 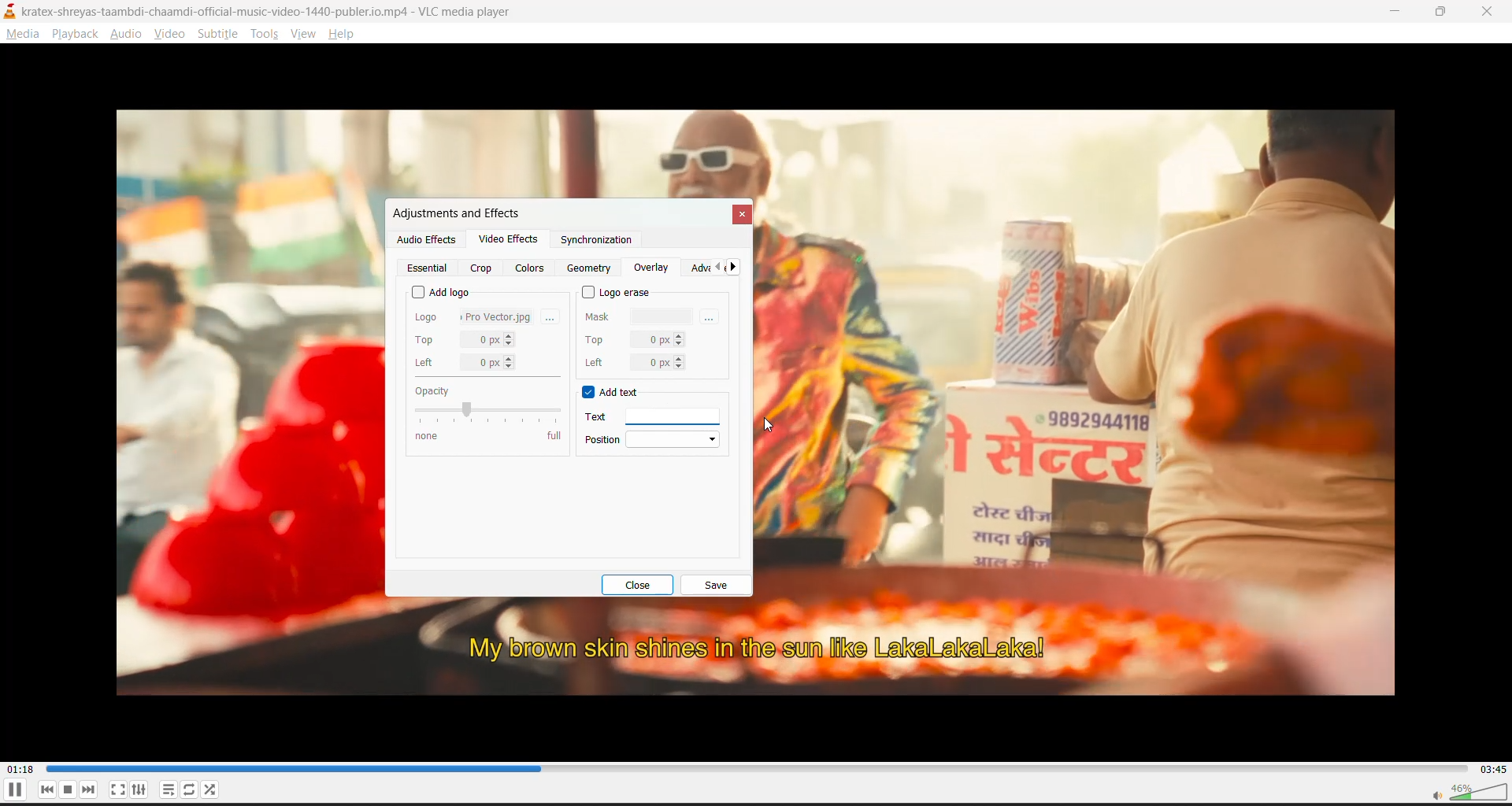 What do you see at coordinates (508, 242) in the screenshot?
I see `video effects` at bounding box center [508, 242].